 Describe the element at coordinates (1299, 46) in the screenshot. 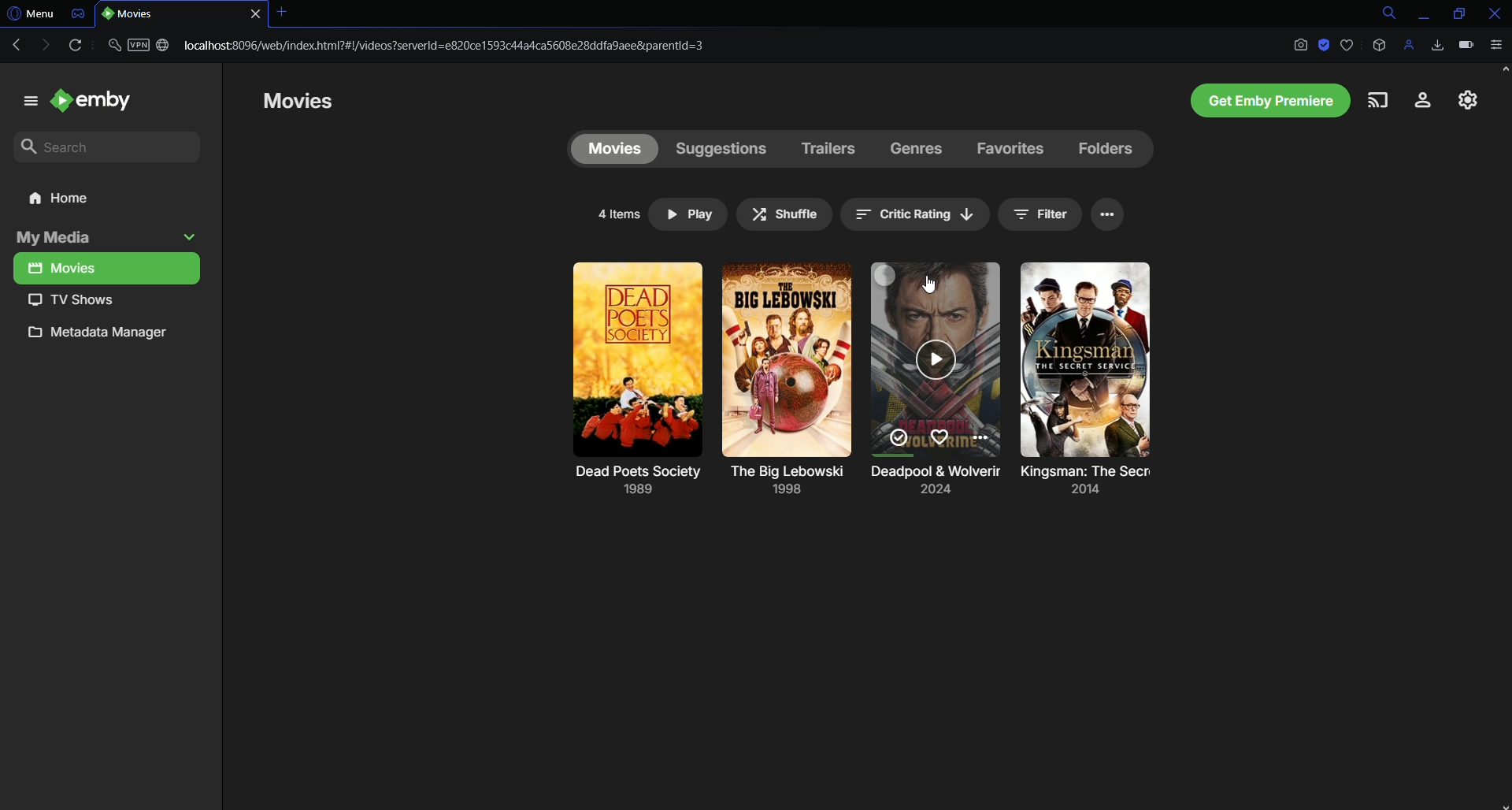

I see `Screenshot` at that location.